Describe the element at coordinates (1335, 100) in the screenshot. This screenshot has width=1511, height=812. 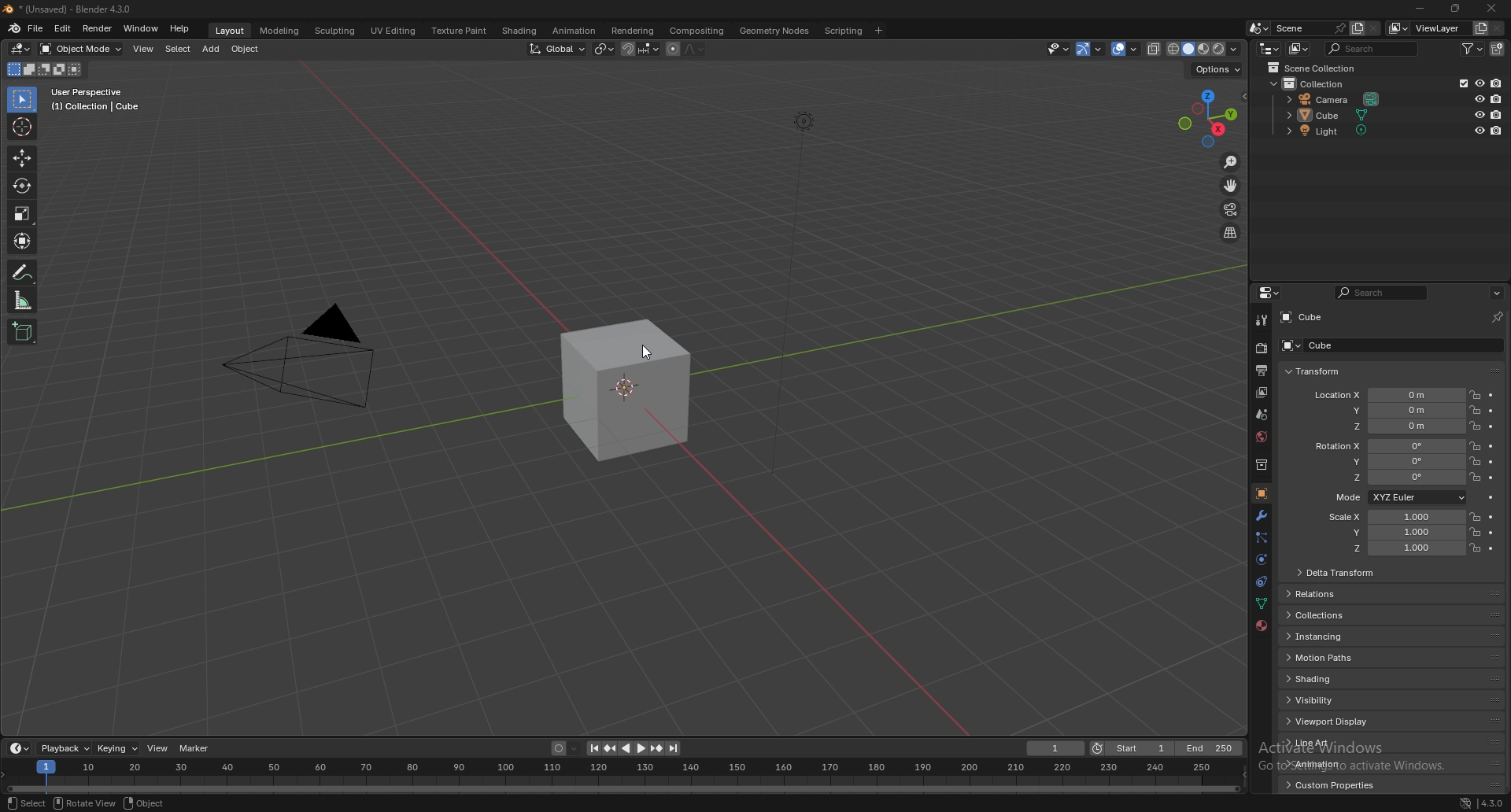
I see `camera` at that location.